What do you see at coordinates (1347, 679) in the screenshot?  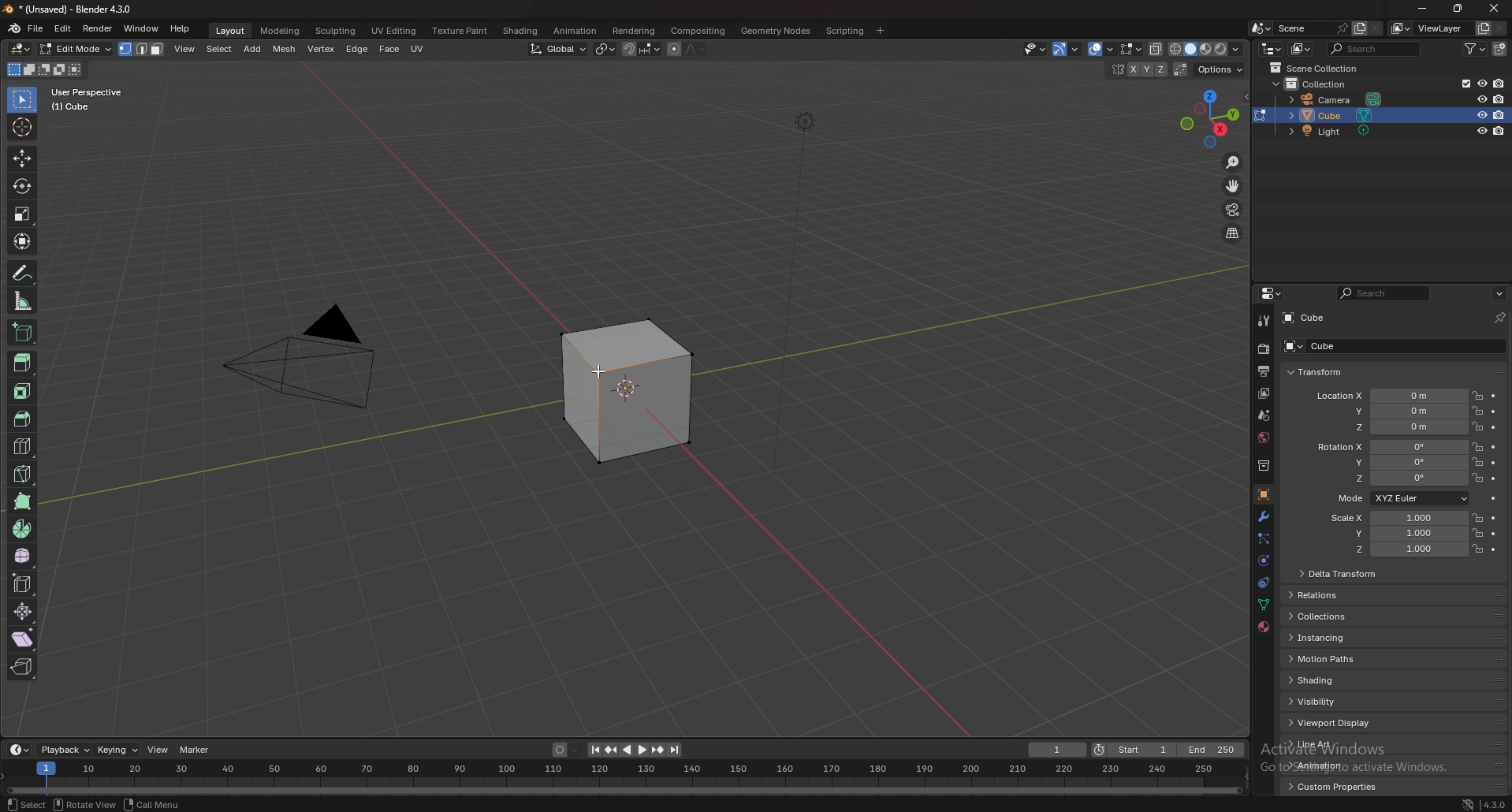 I see `shading` at bounding box center [1347, 679].